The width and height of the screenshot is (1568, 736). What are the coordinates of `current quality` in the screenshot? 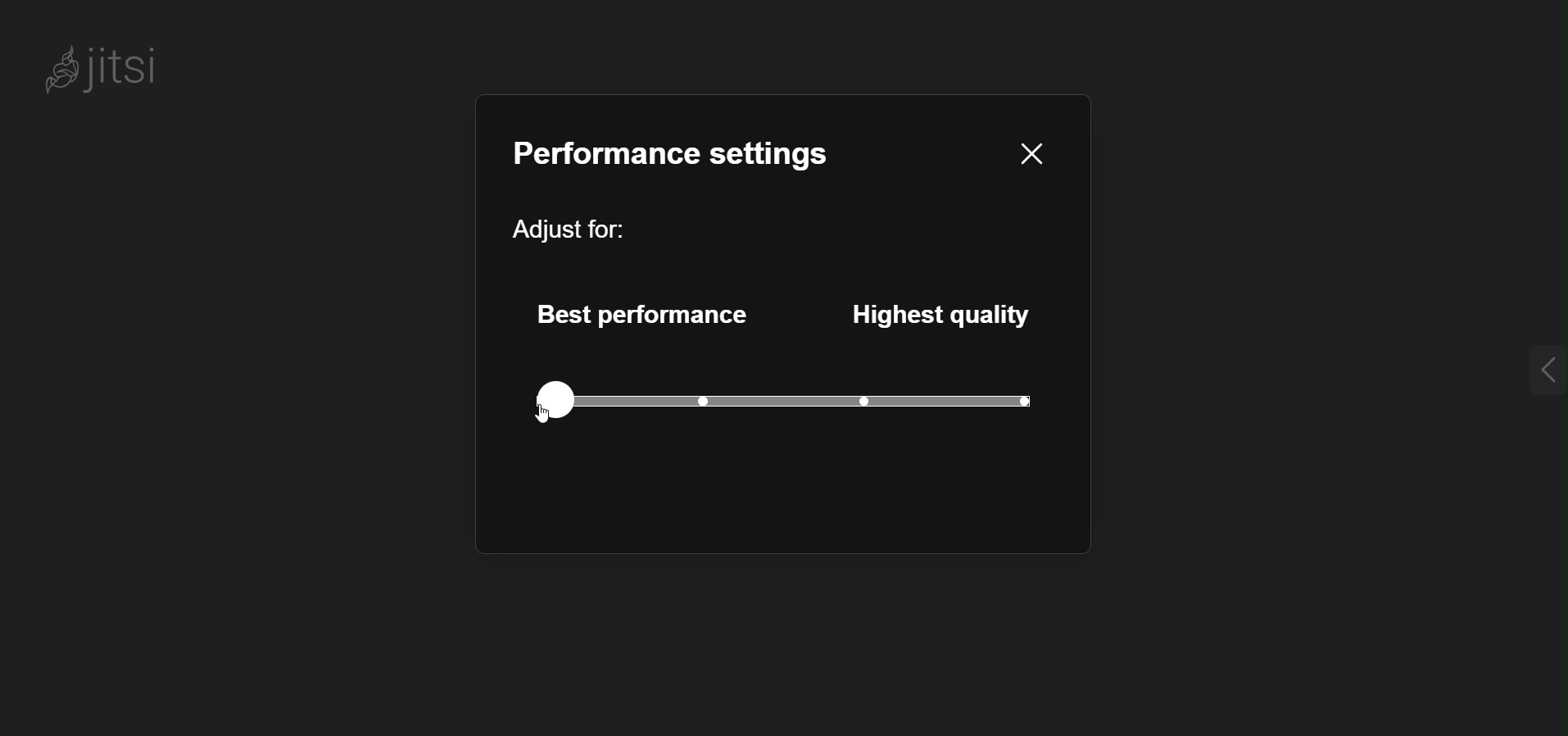 It's located at (1016, 400).